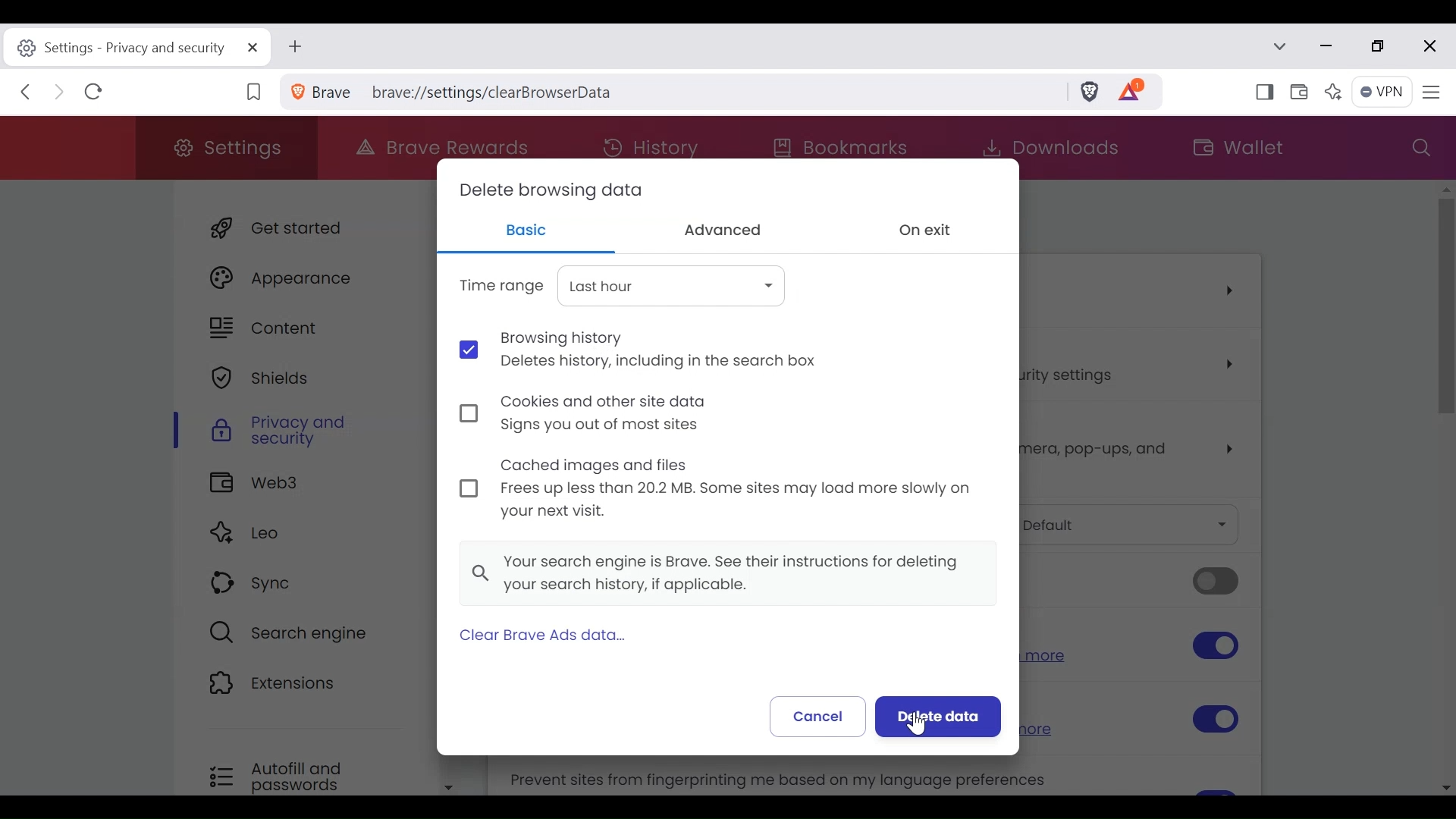 Image resolution: width=1456 pixels, height=819 pixels. What do you see at coordinates (1284, 48) in the screenshot?
I see `Search tabs` at bounding box center [1284, 48].